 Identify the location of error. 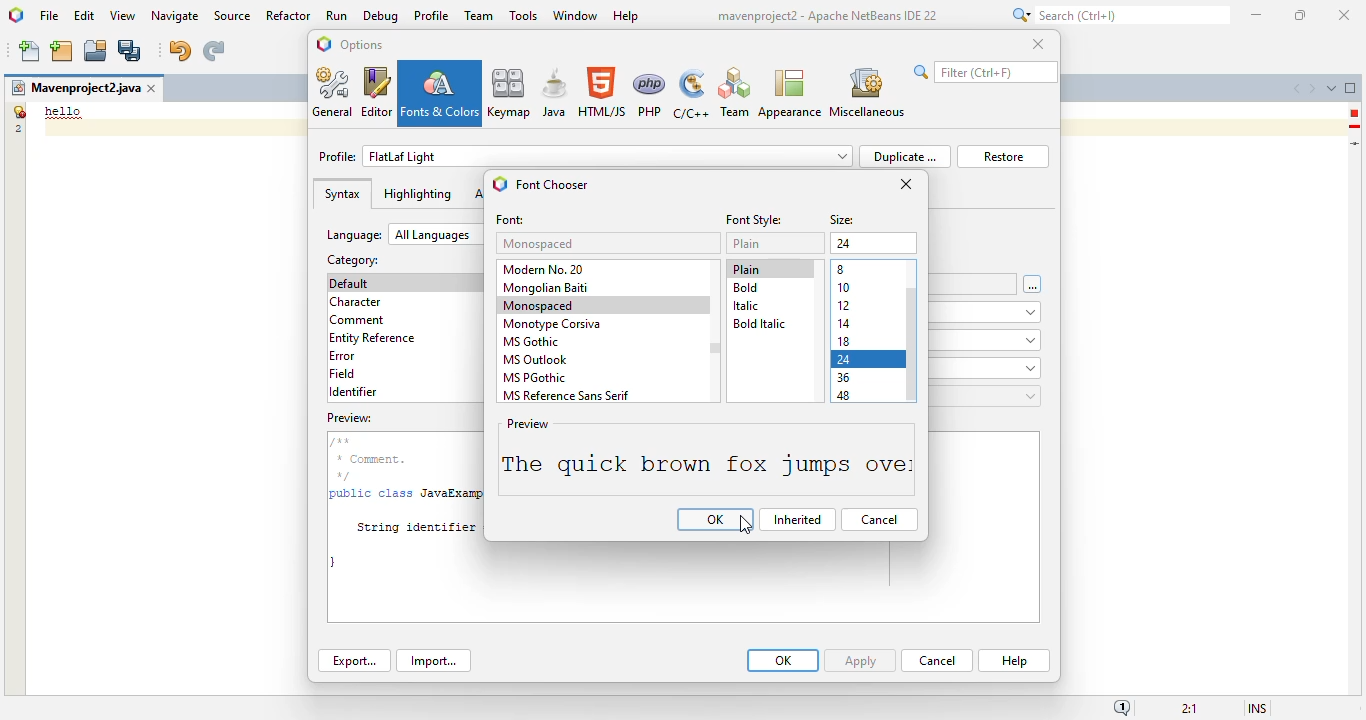
(342, 356).